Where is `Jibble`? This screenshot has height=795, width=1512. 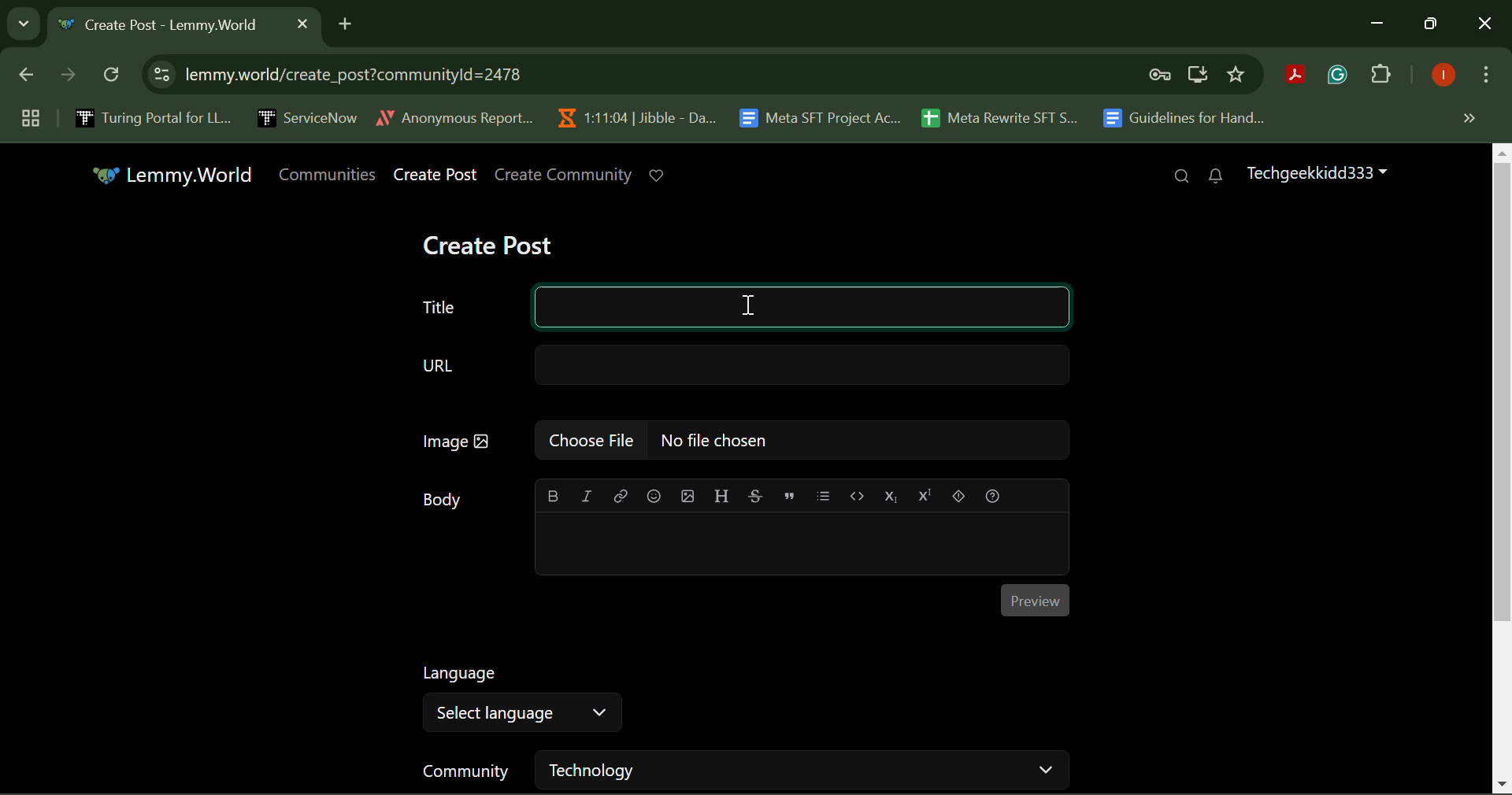
Jibble is located at coordinates (633, 114).